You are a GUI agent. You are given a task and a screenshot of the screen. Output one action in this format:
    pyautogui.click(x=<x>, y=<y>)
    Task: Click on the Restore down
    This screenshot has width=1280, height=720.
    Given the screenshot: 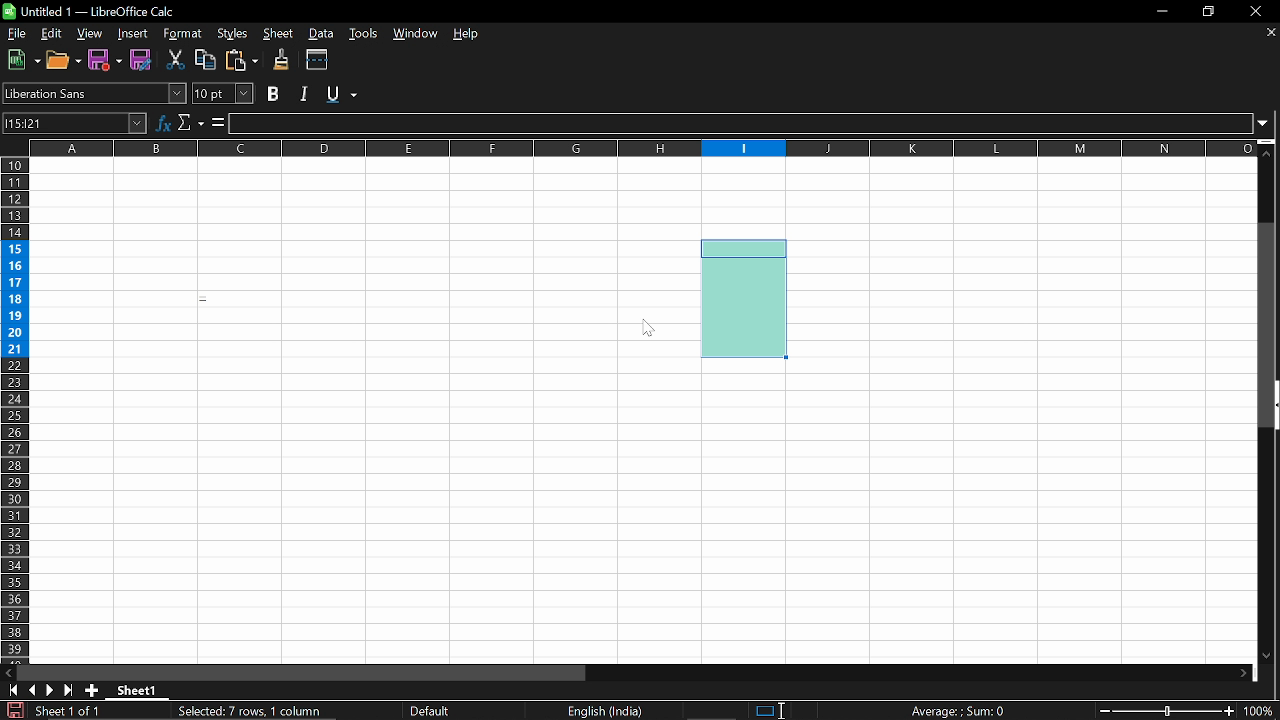 What is the action you would take?
    pyautogui.click(x=1210, y=11)
    